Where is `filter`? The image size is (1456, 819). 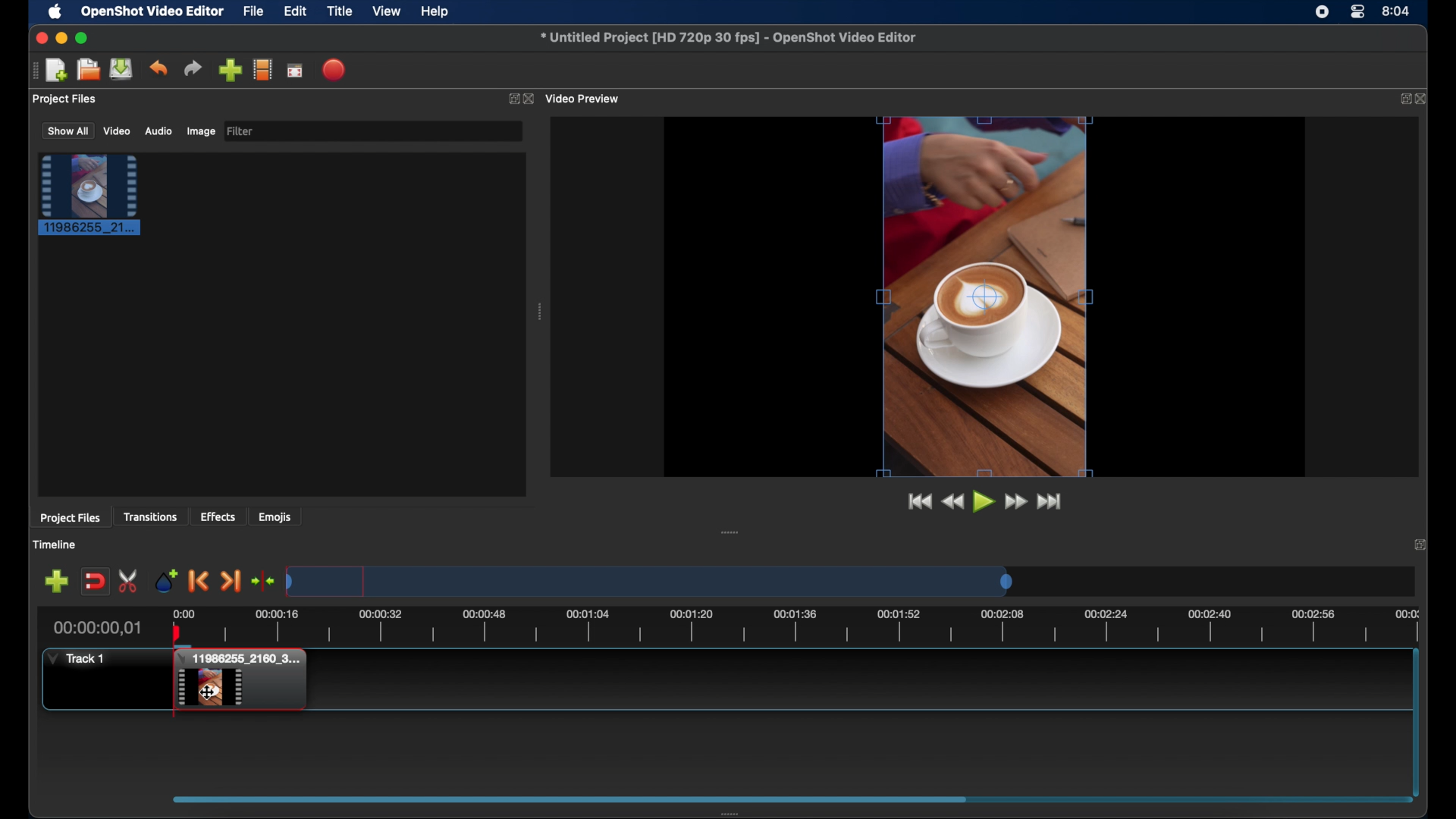
filter is located at coordinates (241, 131).